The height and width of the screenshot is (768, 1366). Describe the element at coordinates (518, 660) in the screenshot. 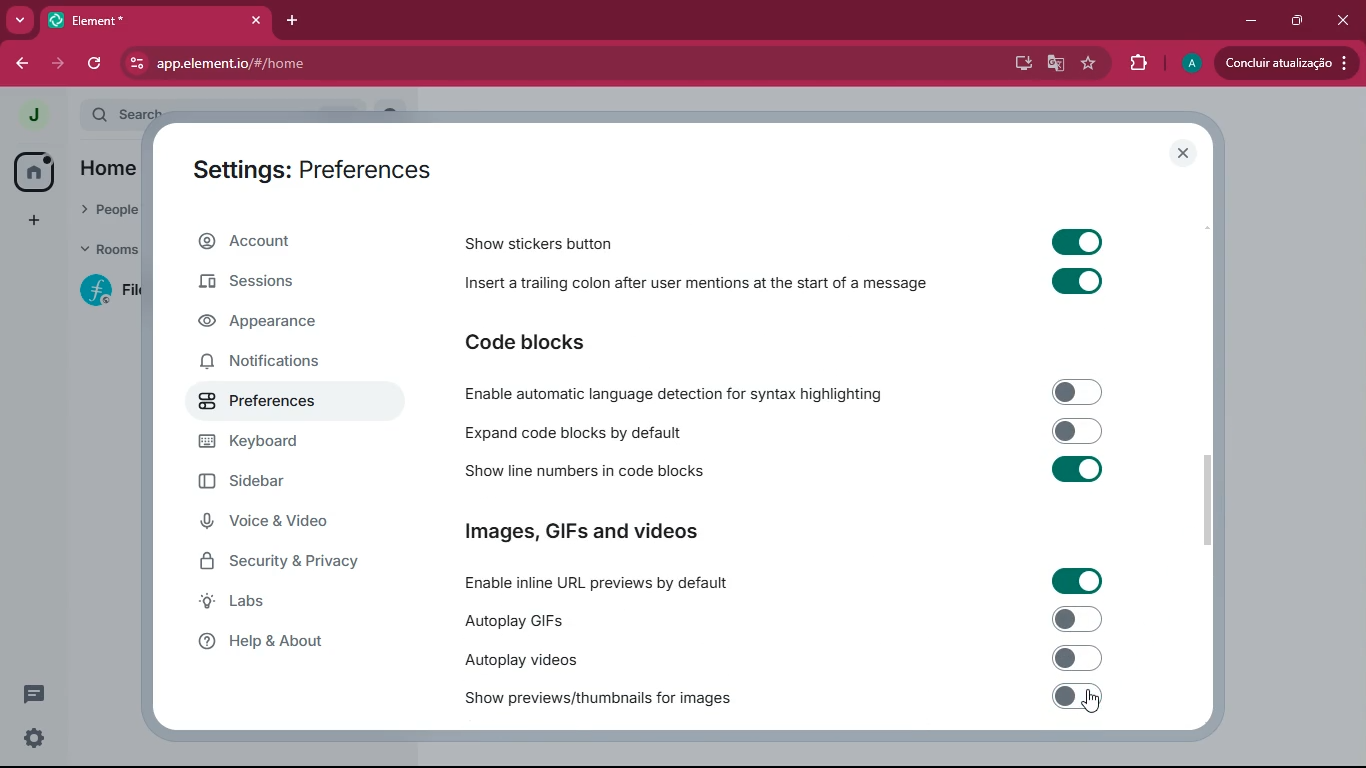

I see `Autoplay videos` at that location.